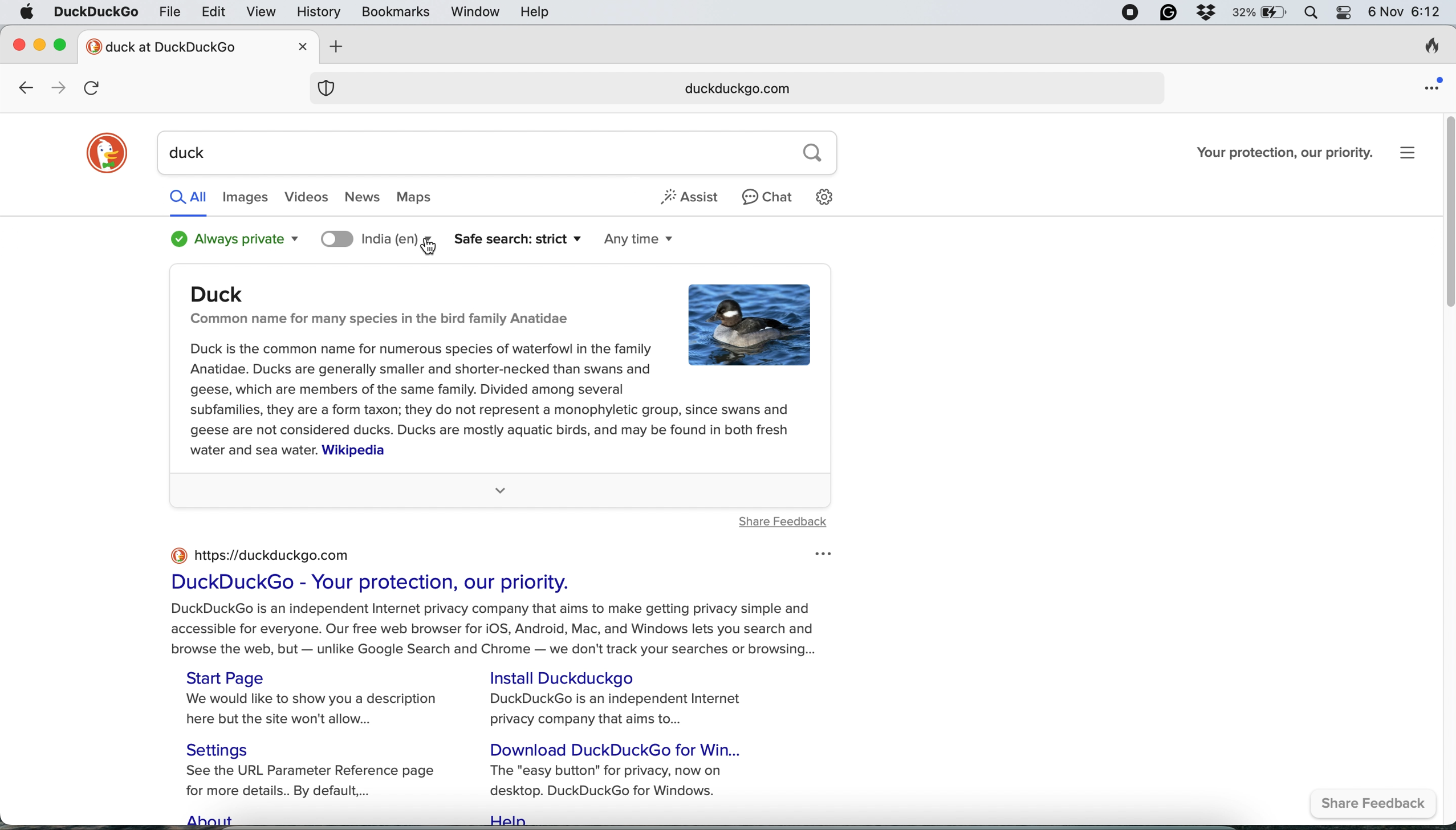 The image size is (1456, 830). What do you see at coordinates (751, 327) in the screenshot?
I see `duck image` at bounding box center [751, 327].